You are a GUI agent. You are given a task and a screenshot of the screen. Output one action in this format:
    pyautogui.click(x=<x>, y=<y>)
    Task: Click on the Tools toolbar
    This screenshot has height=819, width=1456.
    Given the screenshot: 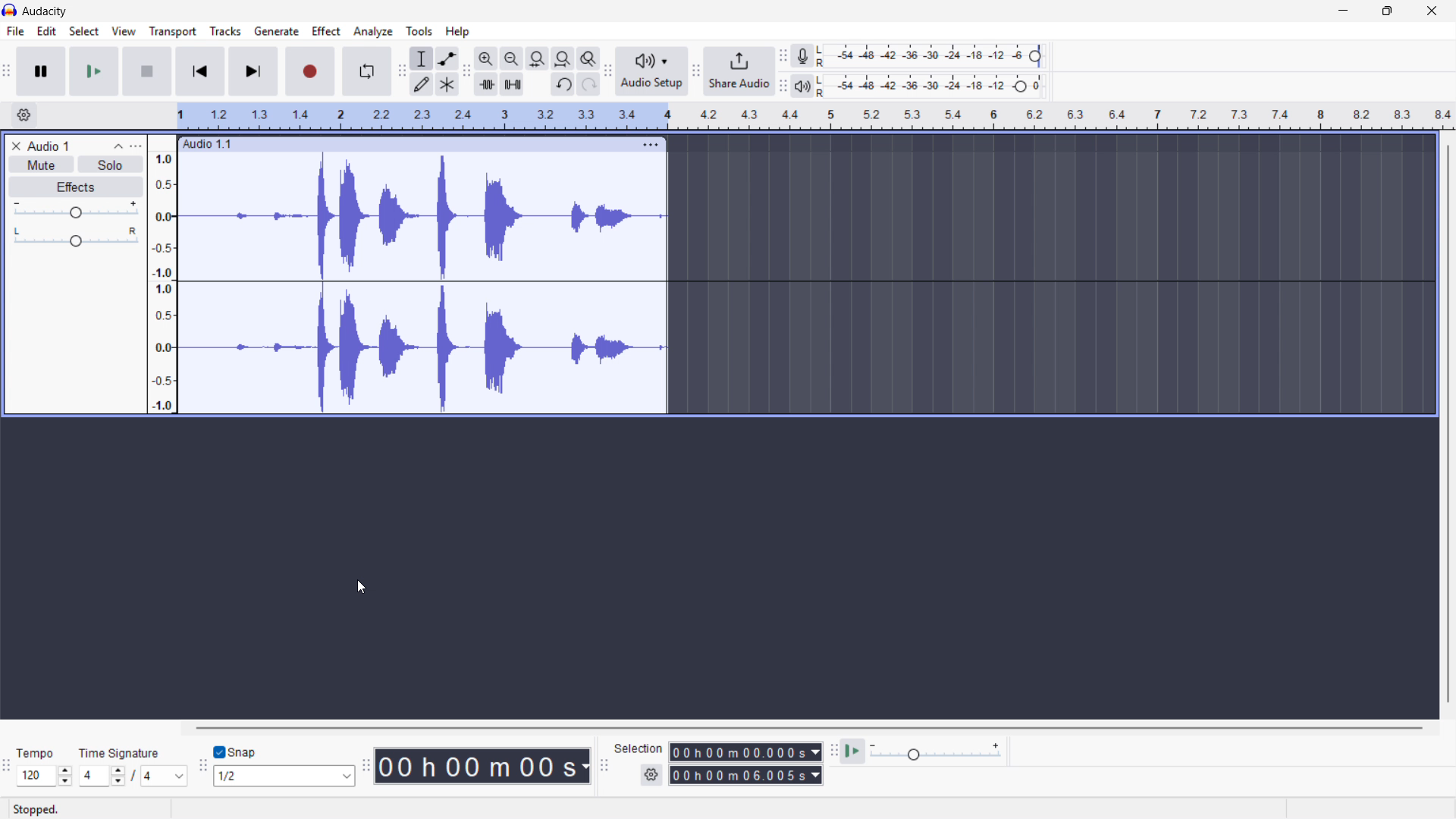 What is the action you would take?
    pyautogui.click(x=402, y=71)
    